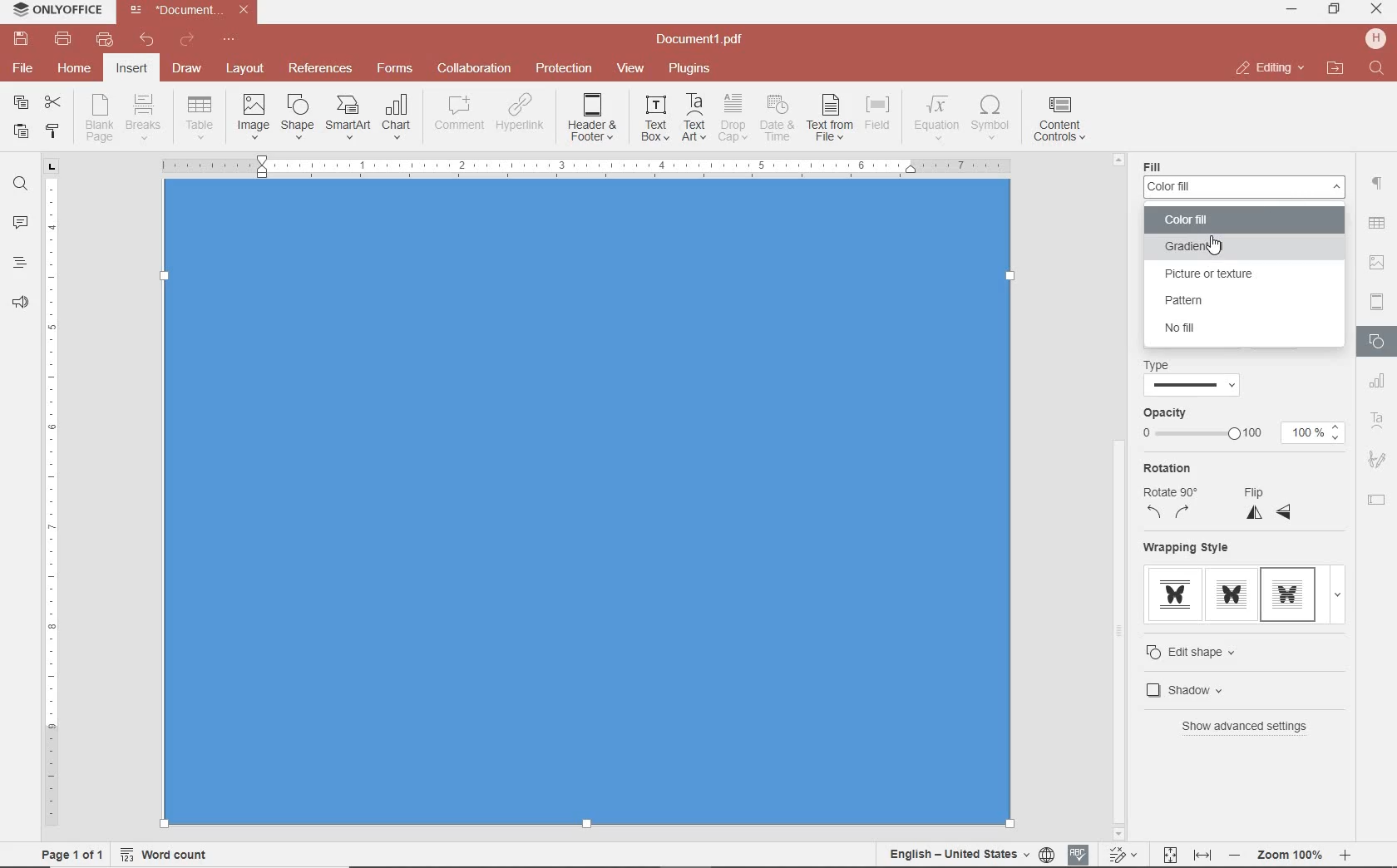  Describe the element at coordinates (20, 262) in the screenshot. I see `heading` at that location.